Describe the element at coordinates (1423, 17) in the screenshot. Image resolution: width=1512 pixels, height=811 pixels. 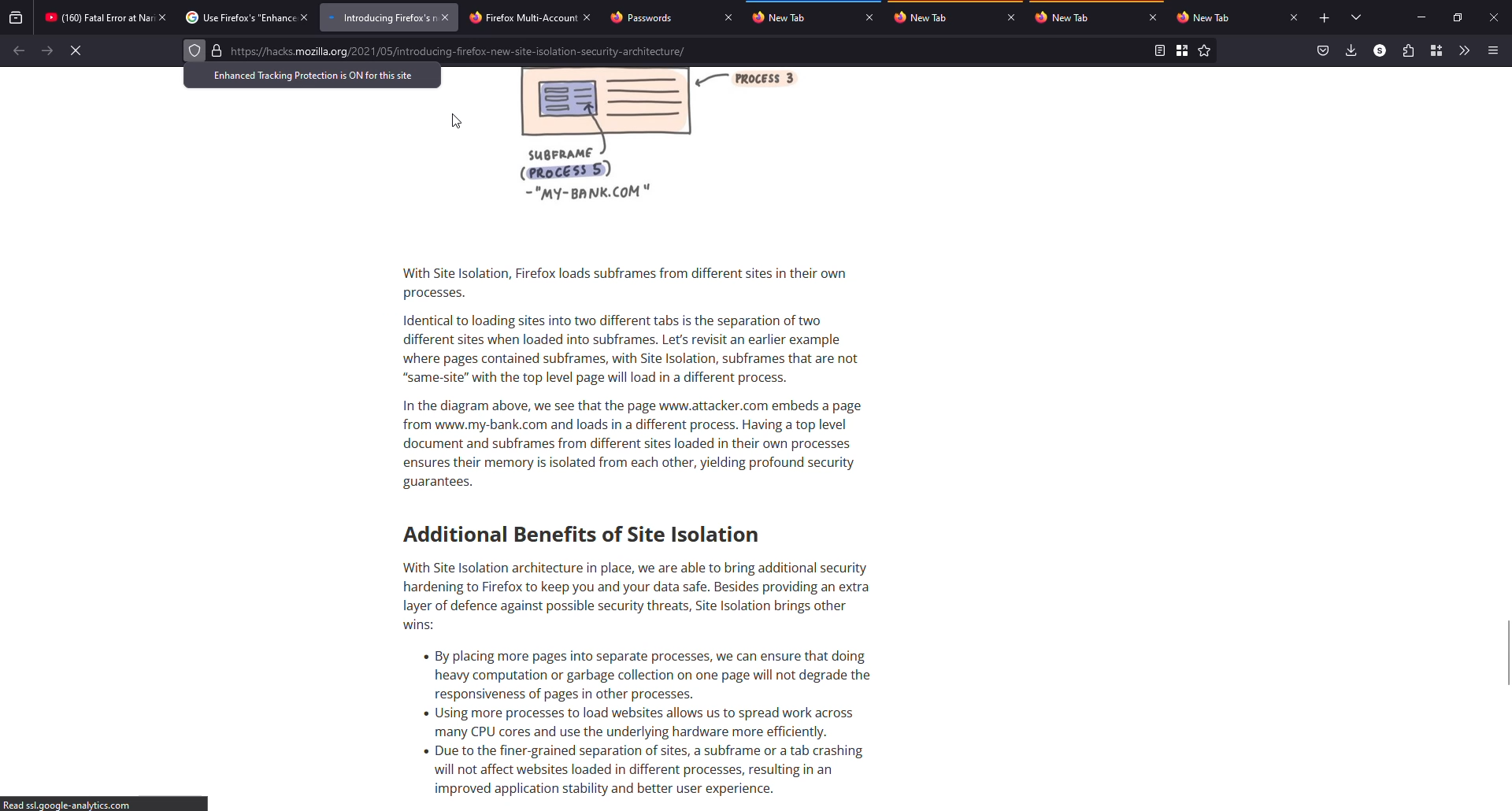
I see `minimize` at that location.